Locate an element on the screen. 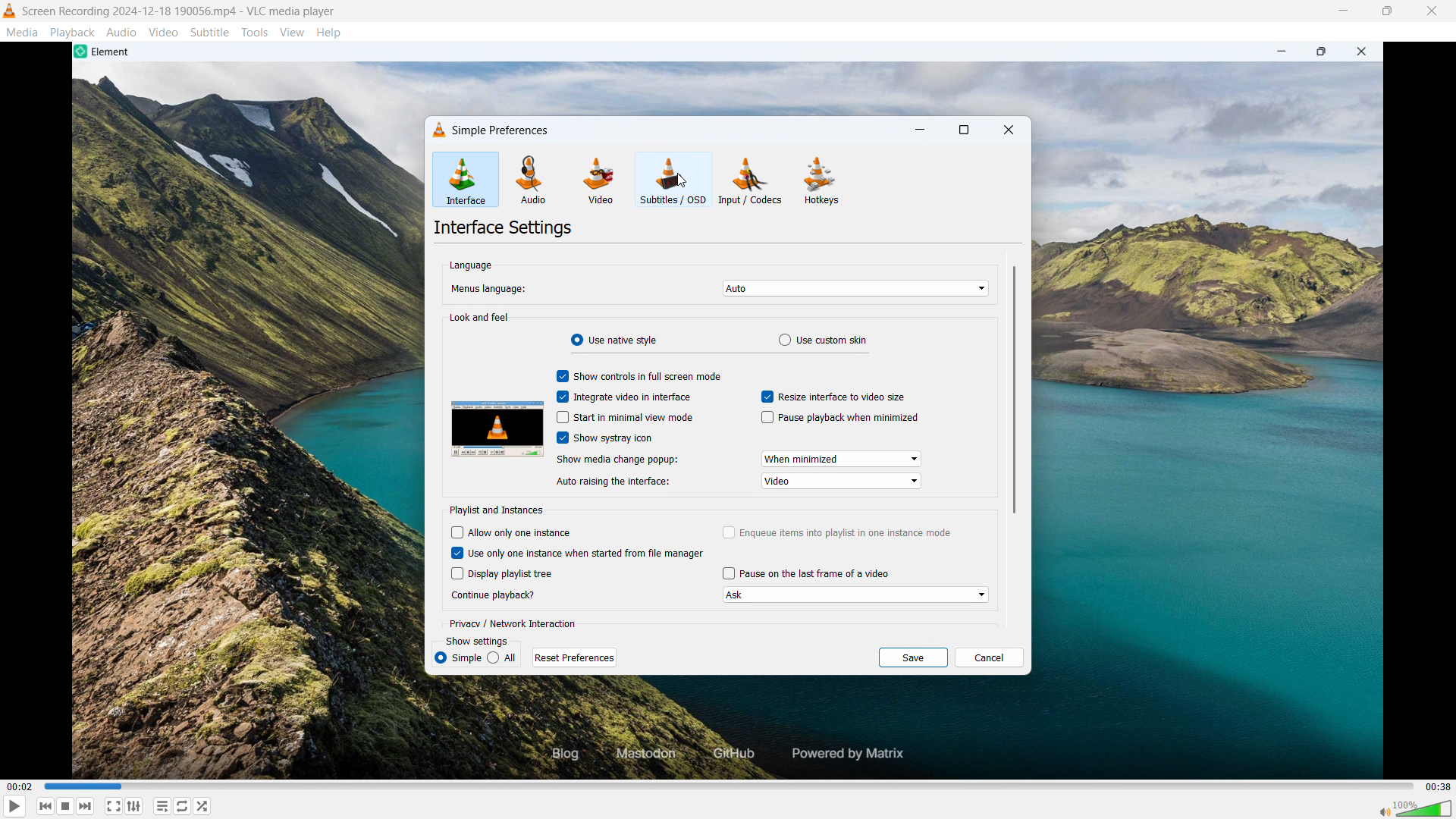 This screenshot has width=1456, height=819. playback is located at coordinates (73, 32).